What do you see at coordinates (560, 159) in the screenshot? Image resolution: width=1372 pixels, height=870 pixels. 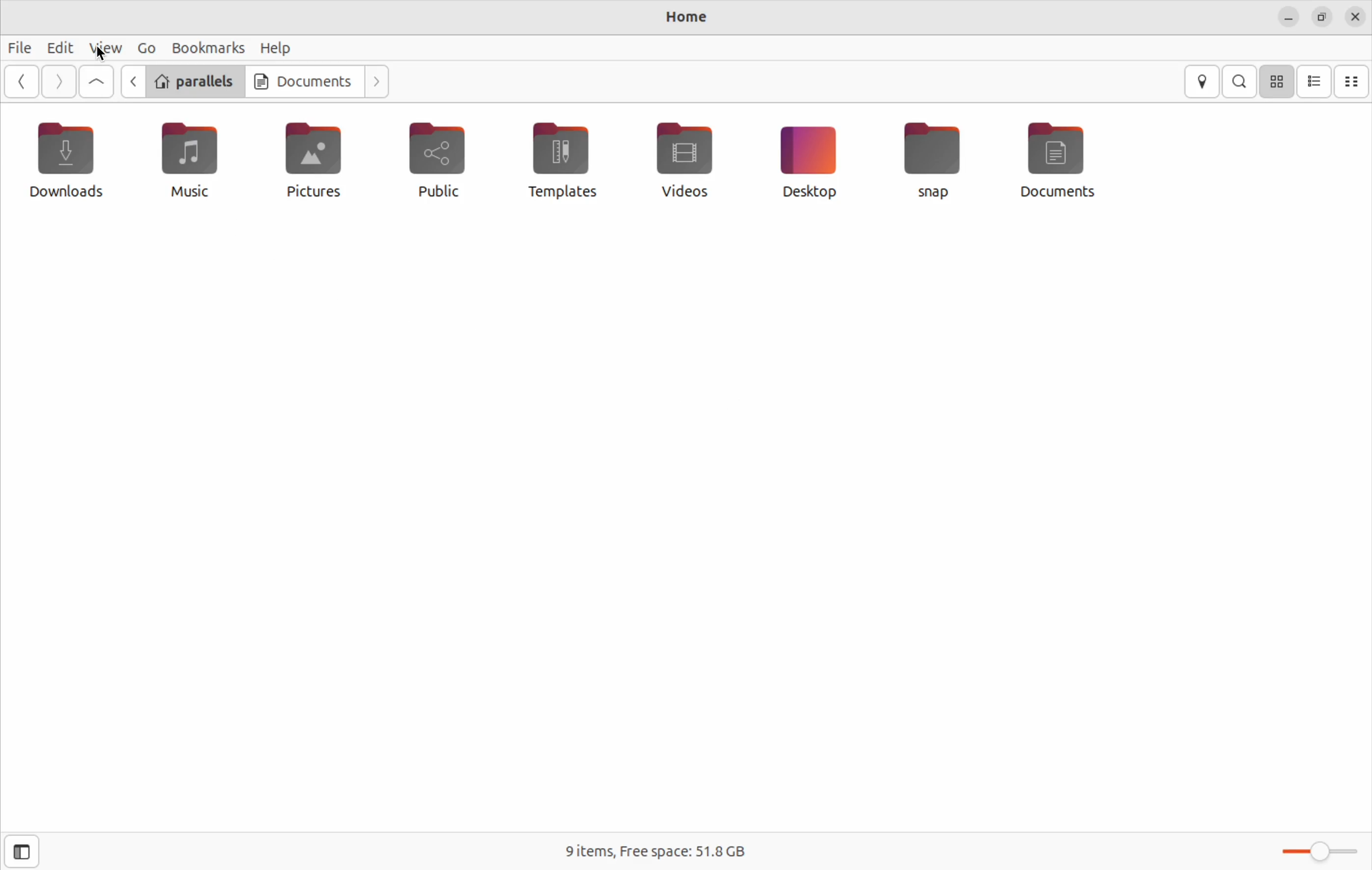 I see `templates` at bounding box center [560, 159].